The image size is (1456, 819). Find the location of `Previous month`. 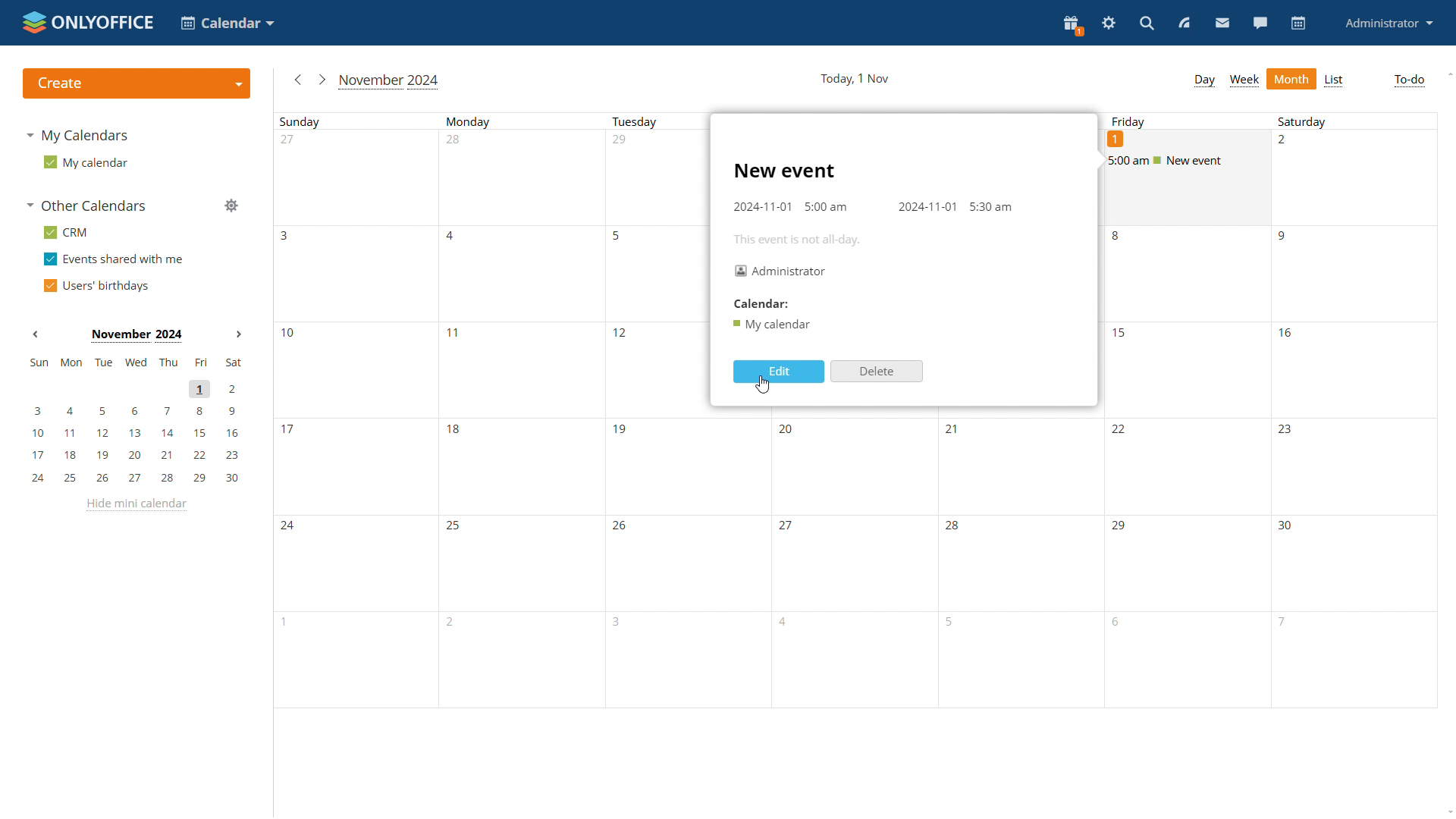

Previous month is located at coordinates (36, 334).